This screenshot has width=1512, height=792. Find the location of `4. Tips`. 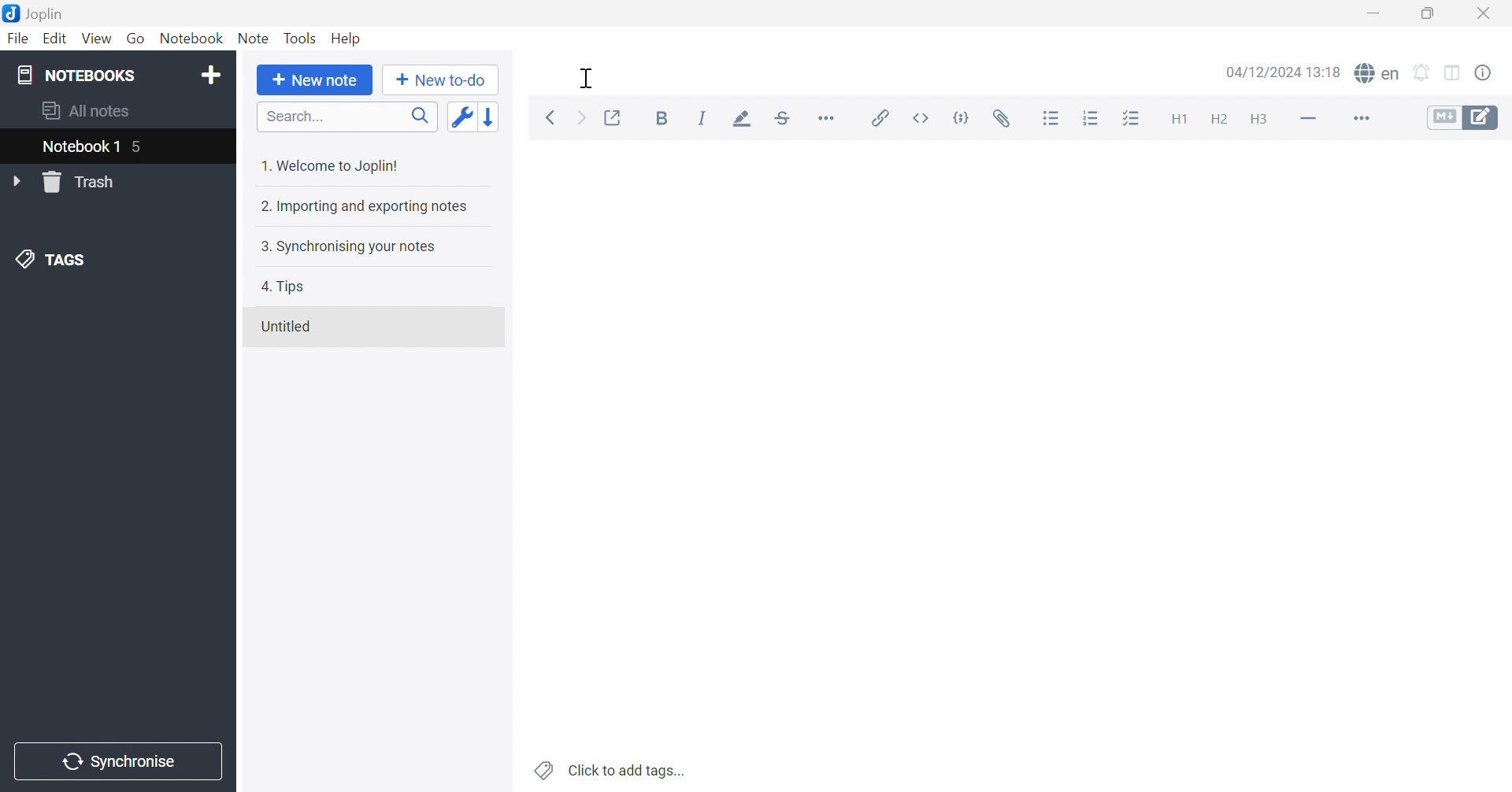

4. Tips is located at coordinates (287, 287).